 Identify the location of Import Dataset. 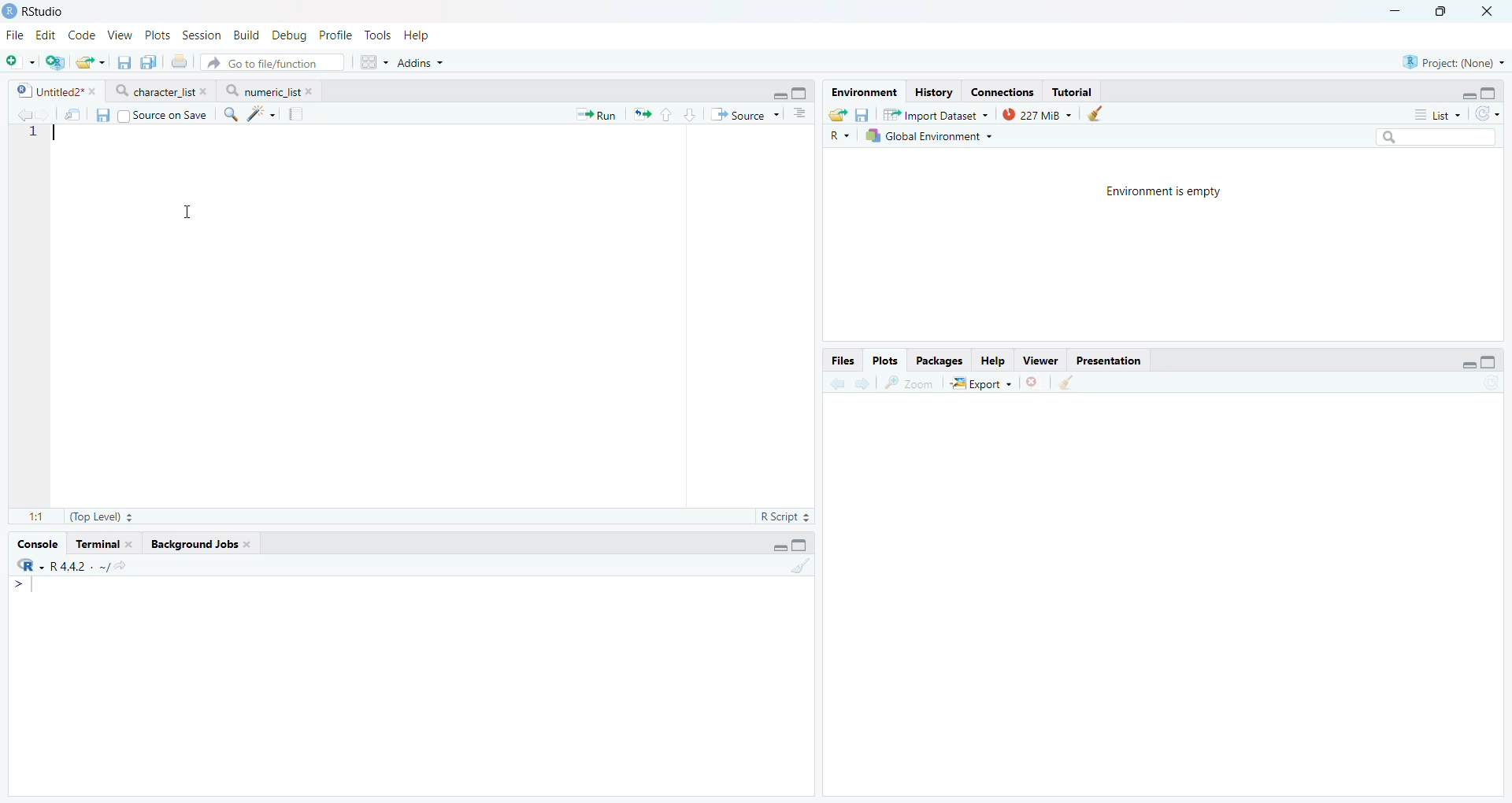
(936, 114).